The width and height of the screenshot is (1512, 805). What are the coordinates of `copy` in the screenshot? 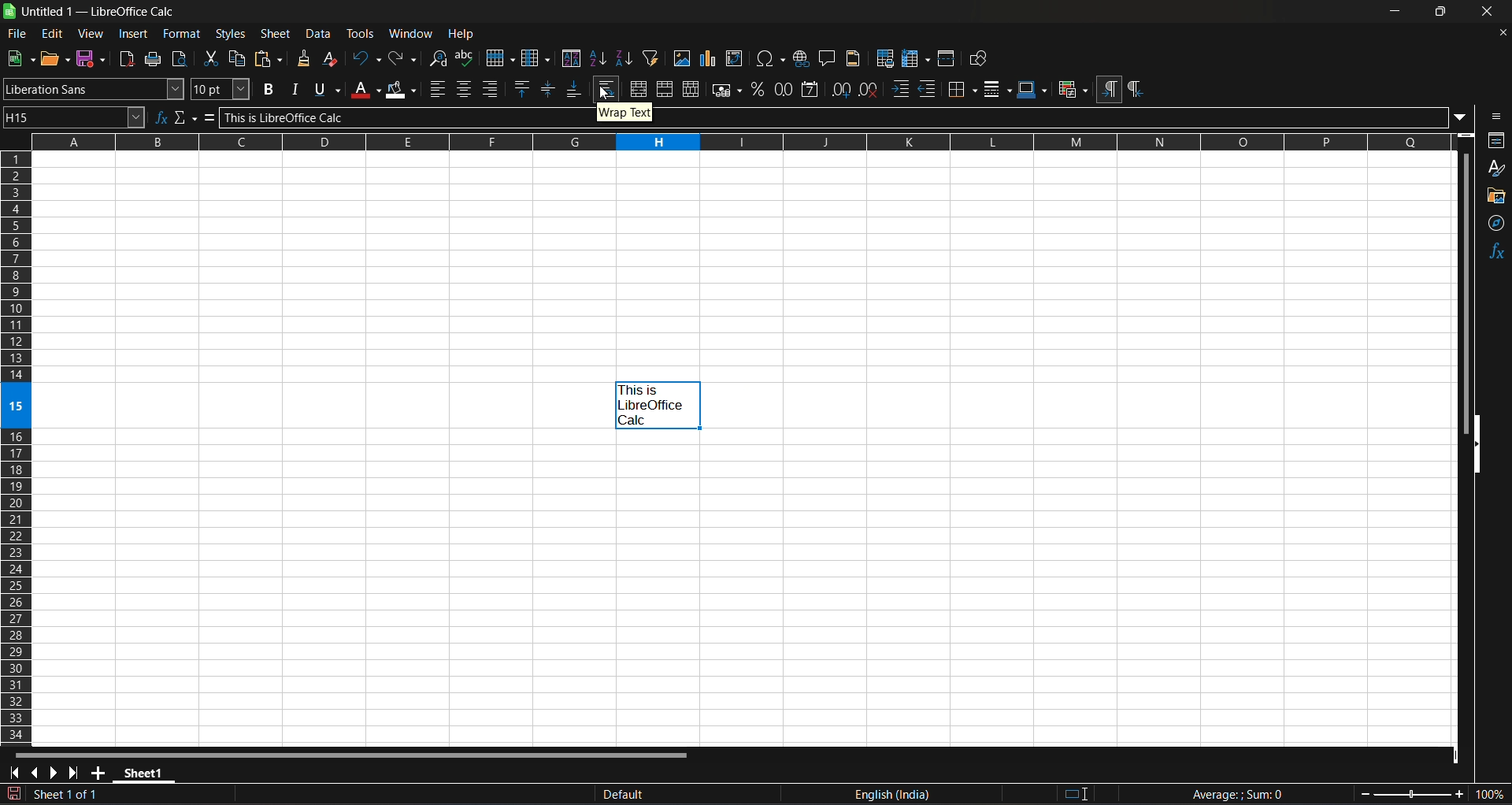 It's located at (239, 57).